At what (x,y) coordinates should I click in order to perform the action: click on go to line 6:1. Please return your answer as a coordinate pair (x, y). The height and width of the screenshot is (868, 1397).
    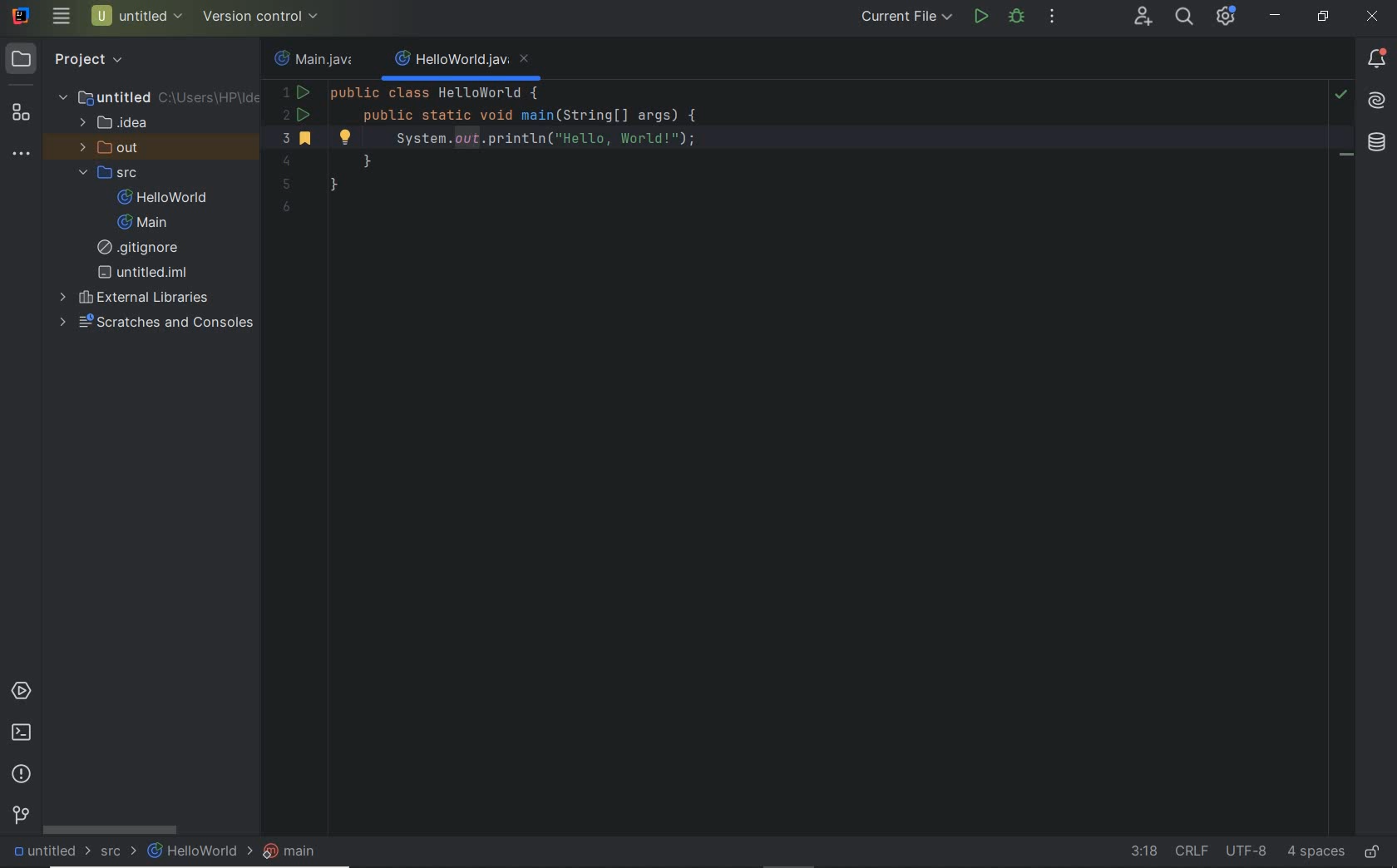
    Looking at the image, I should click on (1143, 851).